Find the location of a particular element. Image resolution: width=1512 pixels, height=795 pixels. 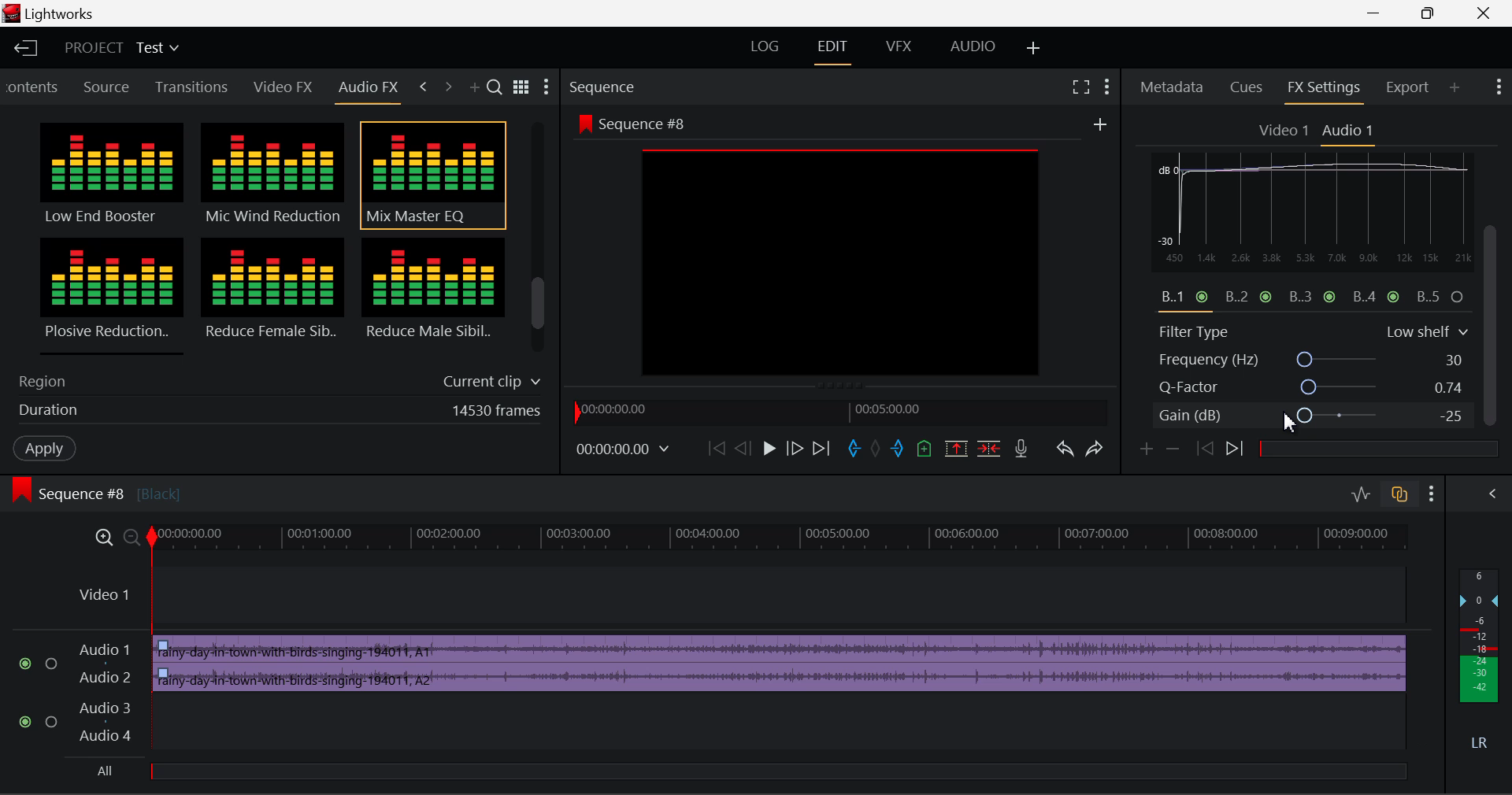

EQ Graph is located at coordinates (1303, 244).